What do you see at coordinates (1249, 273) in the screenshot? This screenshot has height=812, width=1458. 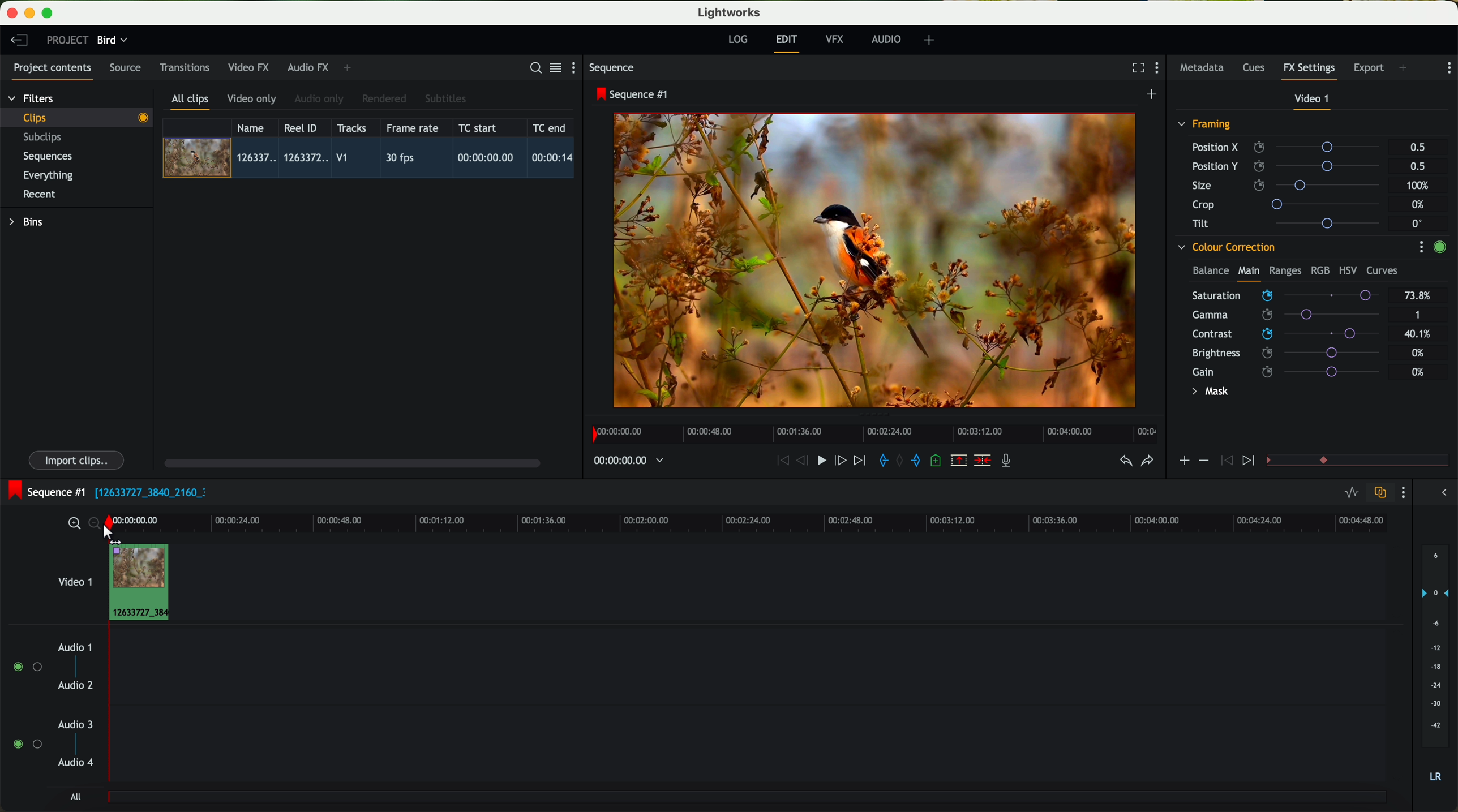 I see `main` at bounding box center [1249, 273].